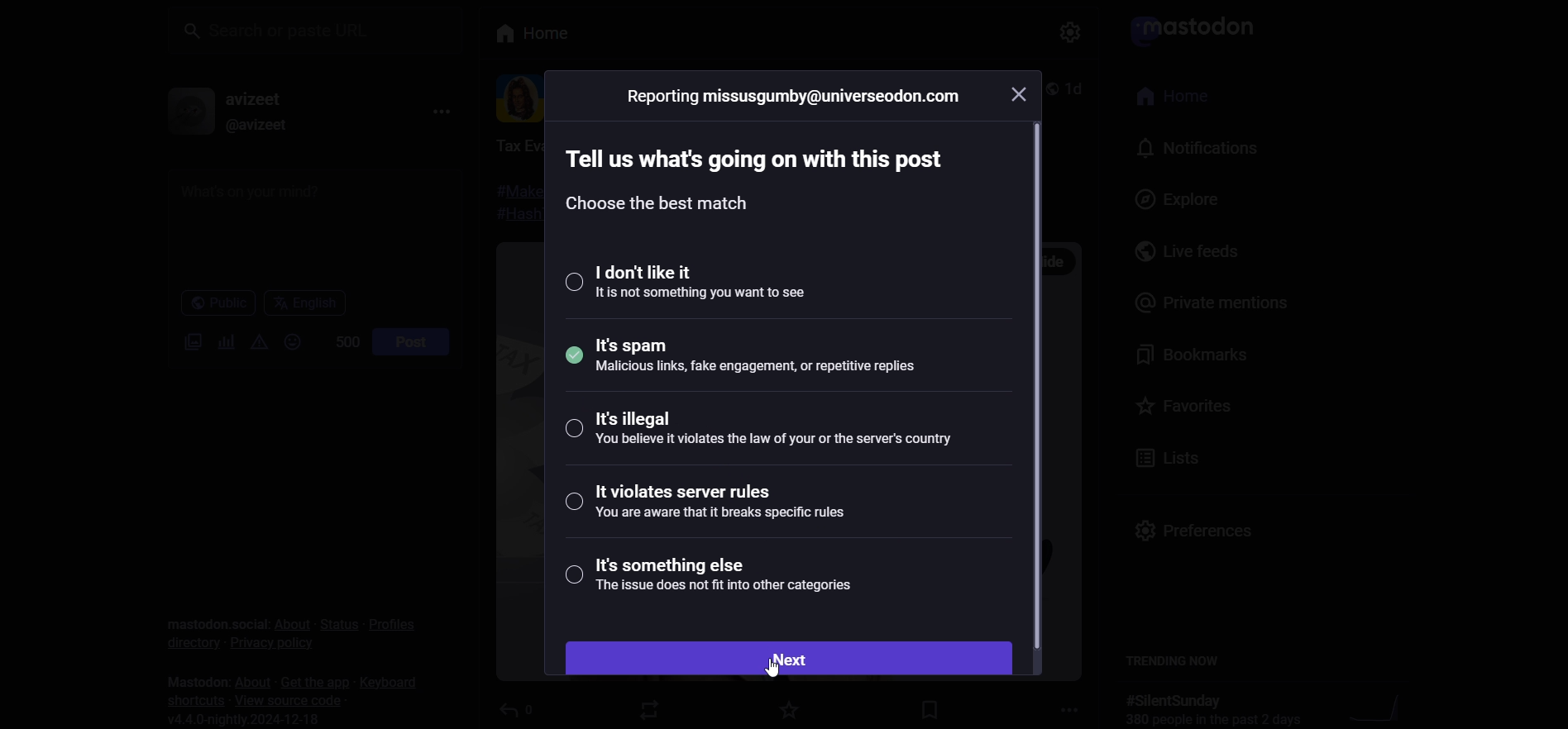  What do you see at coordinates (790, 656) in the screenshot?
I see `next` at bounding box center [790, 656].